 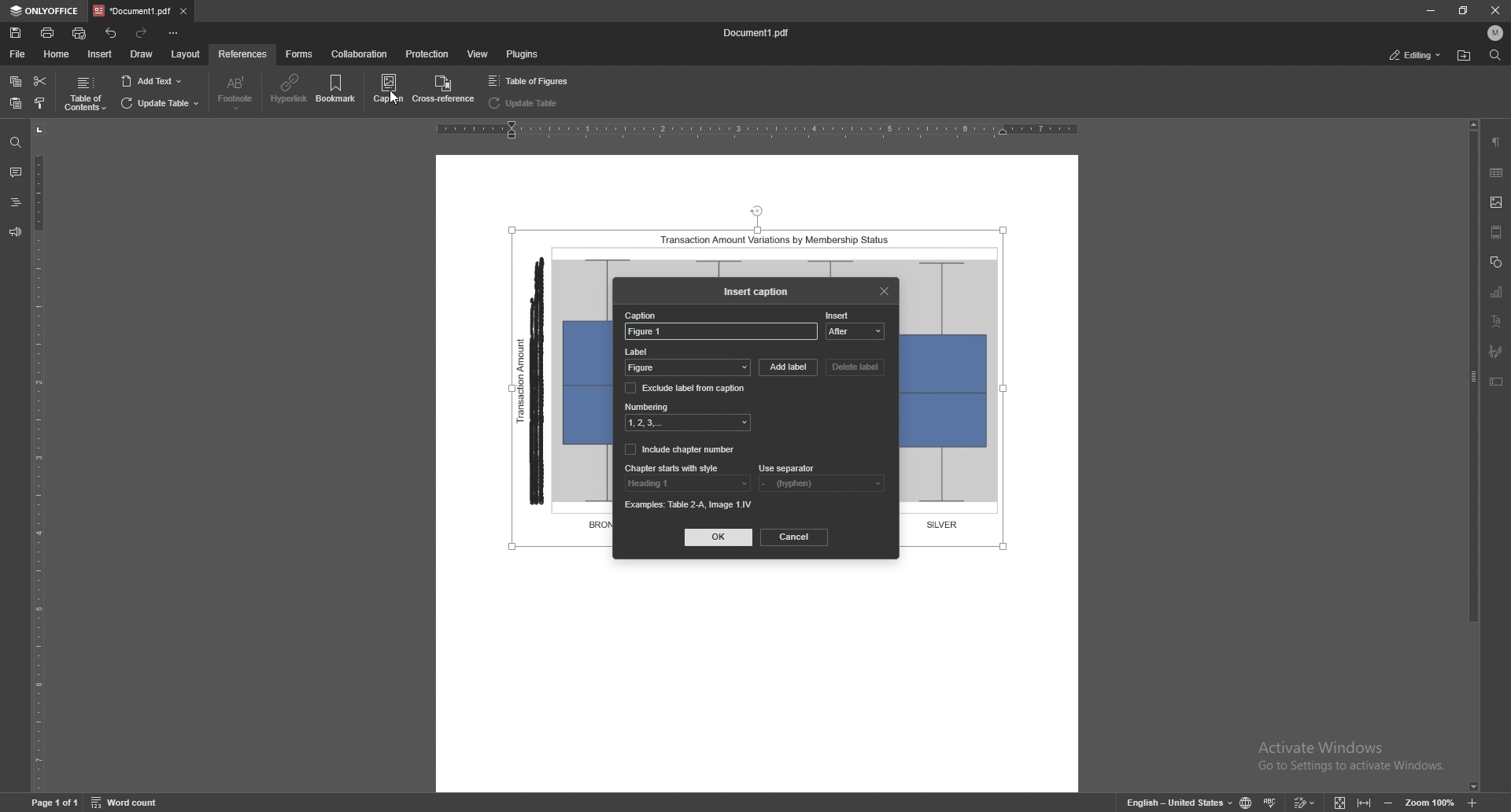 What do you see at coordinates (290, 89) in the screenshot?
I see `hyperlink` at bounding box center [290, 89].